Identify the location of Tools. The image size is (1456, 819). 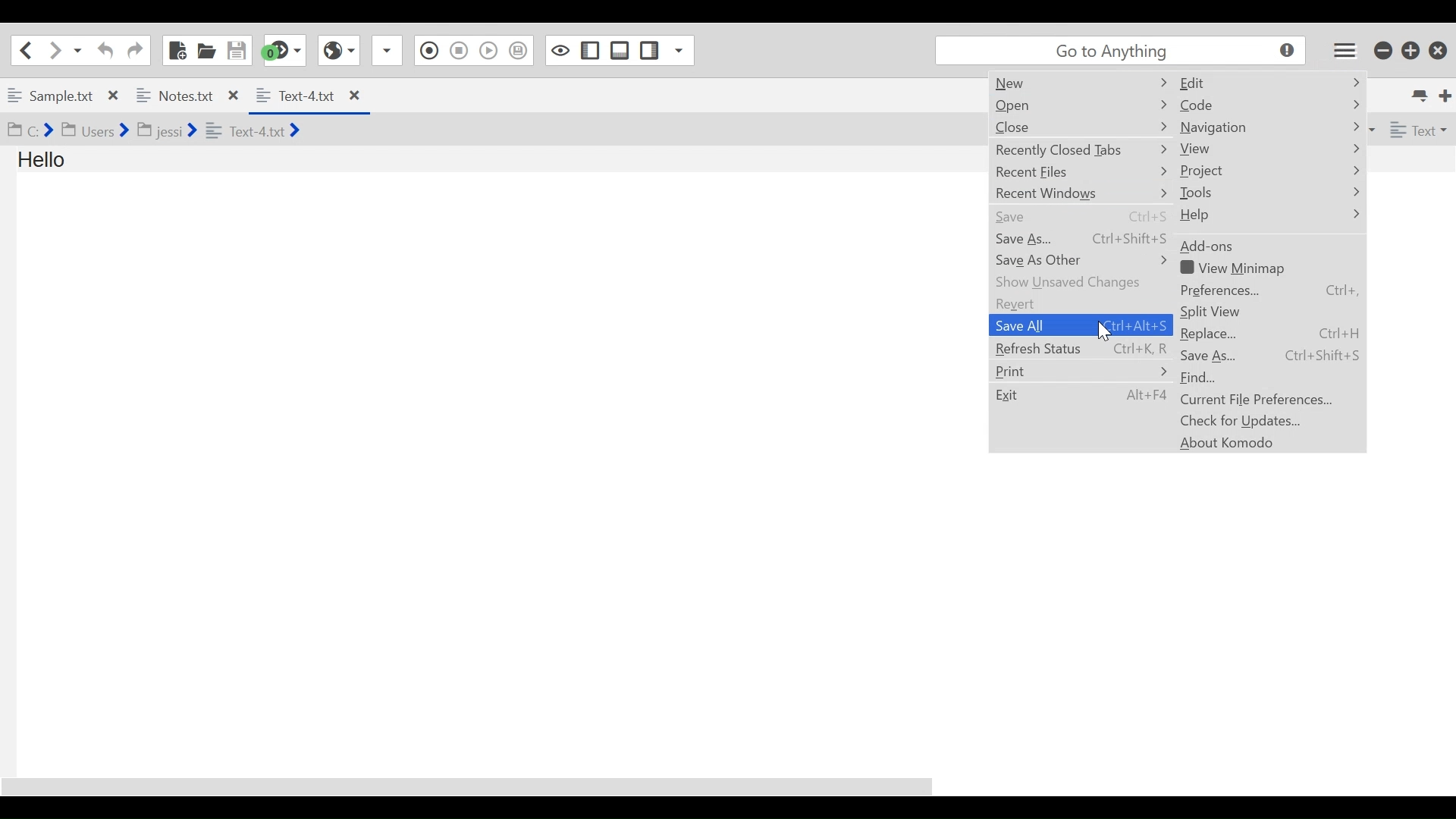
(1271, 190).